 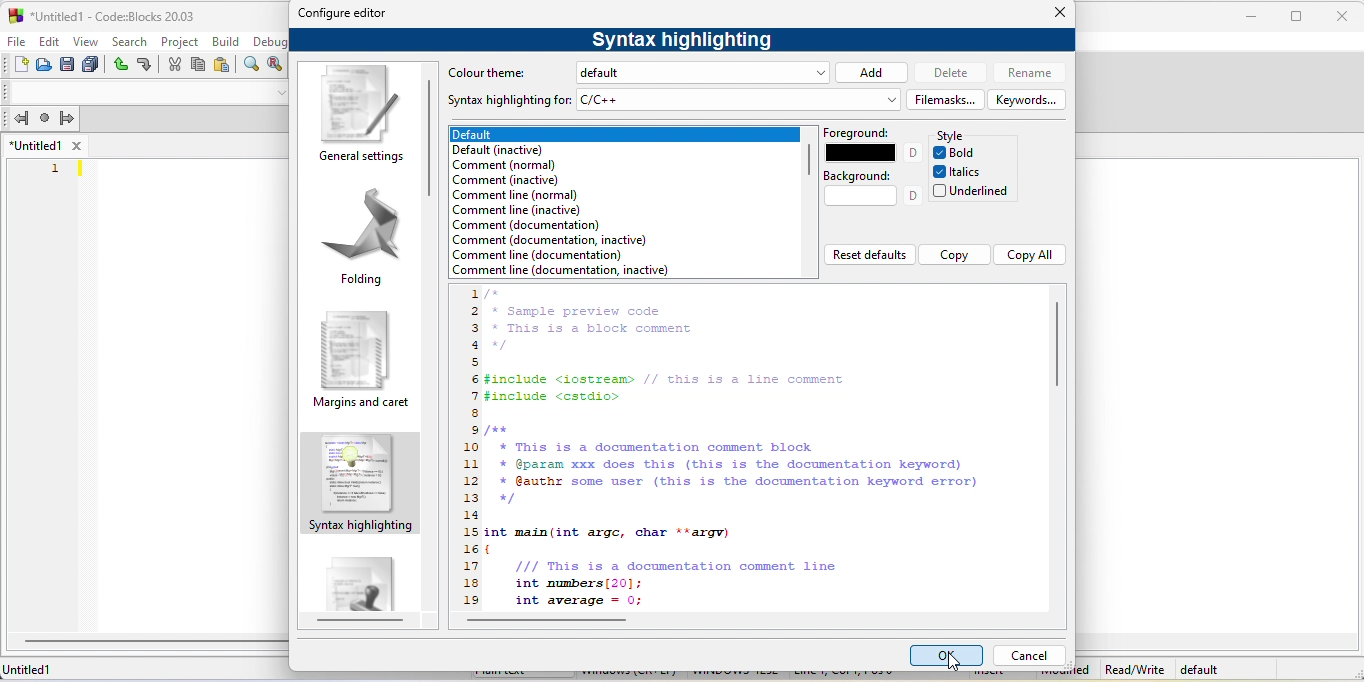 I want to click on replace, so click(x=274, y=63).